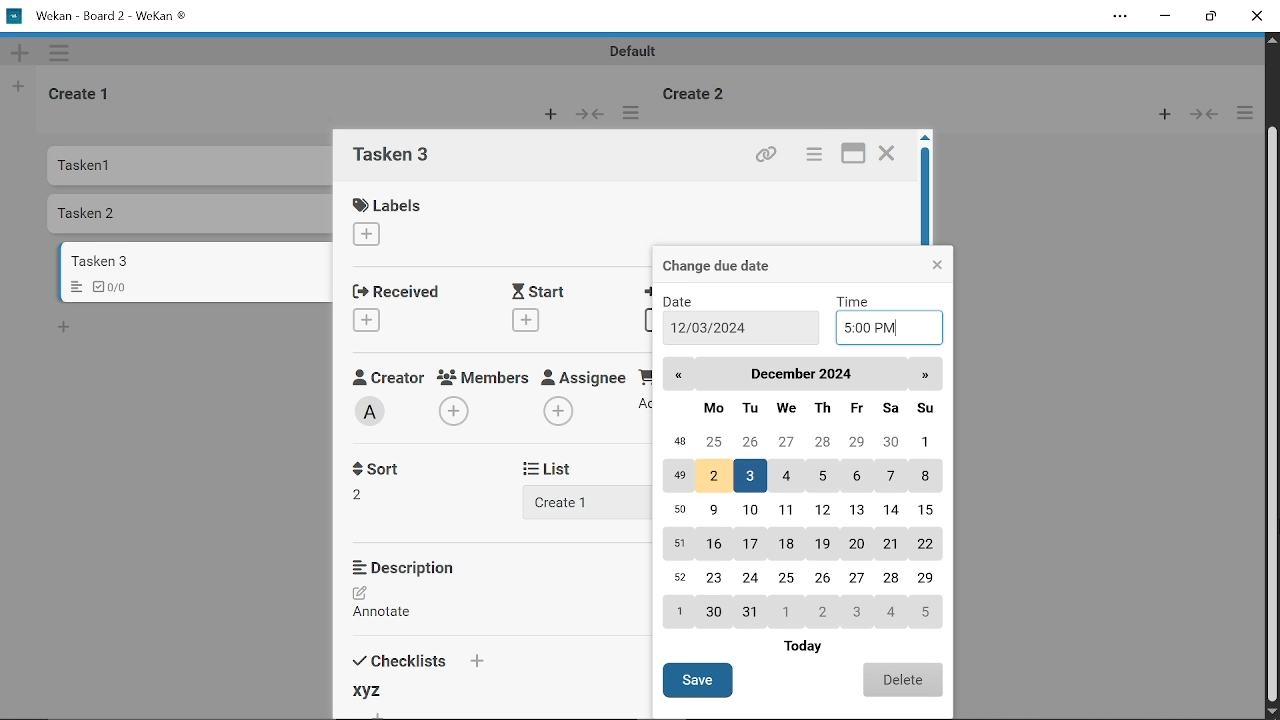  What do you see at coordinates (550, 115) in the screenshot?
I see `New` at bounding box center [550, 115].